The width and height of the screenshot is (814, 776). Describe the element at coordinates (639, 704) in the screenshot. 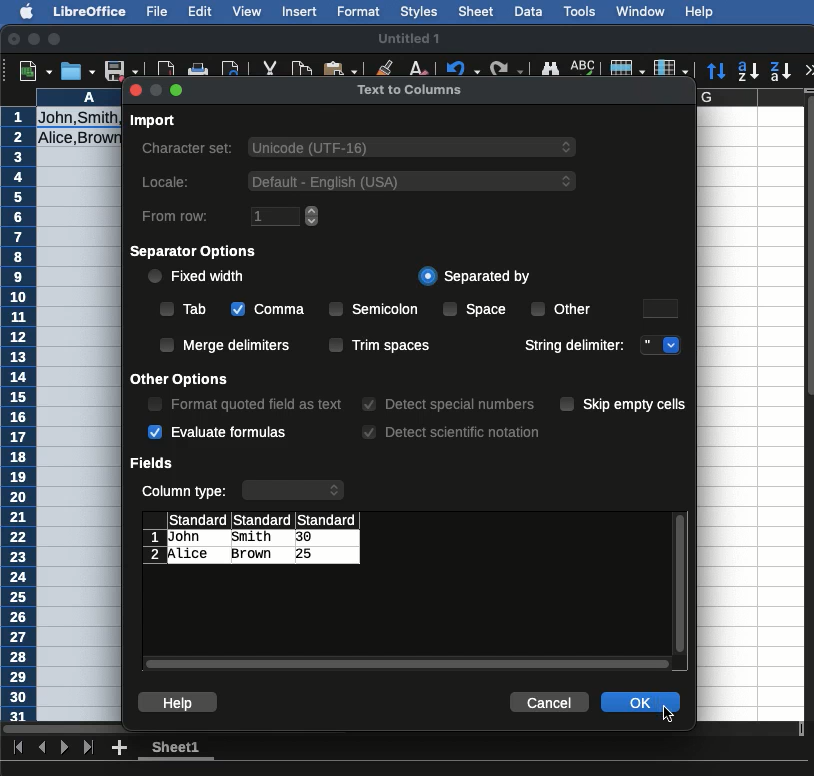

I see `OK` at that location.